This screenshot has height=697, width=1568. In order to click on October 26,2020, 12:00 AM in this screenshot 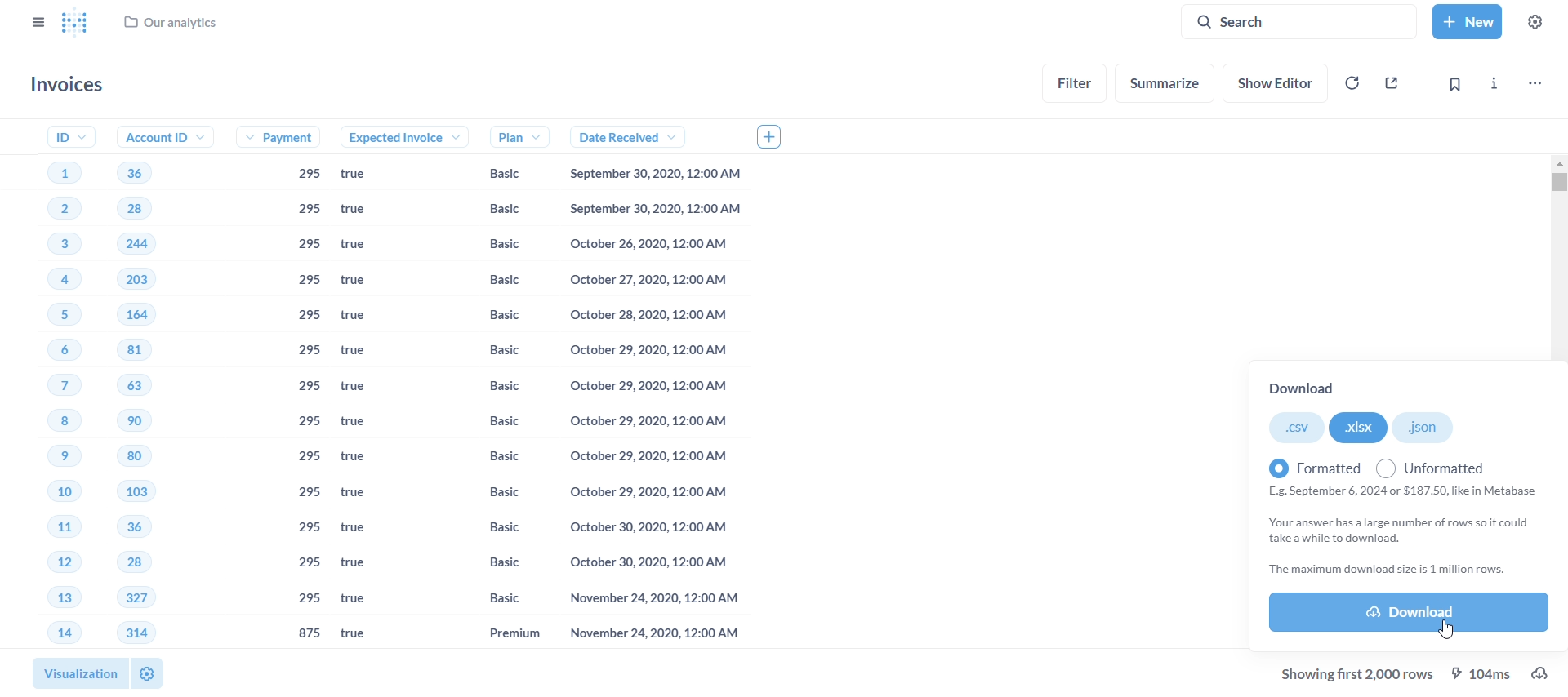, I will do `click(657, 245)`.